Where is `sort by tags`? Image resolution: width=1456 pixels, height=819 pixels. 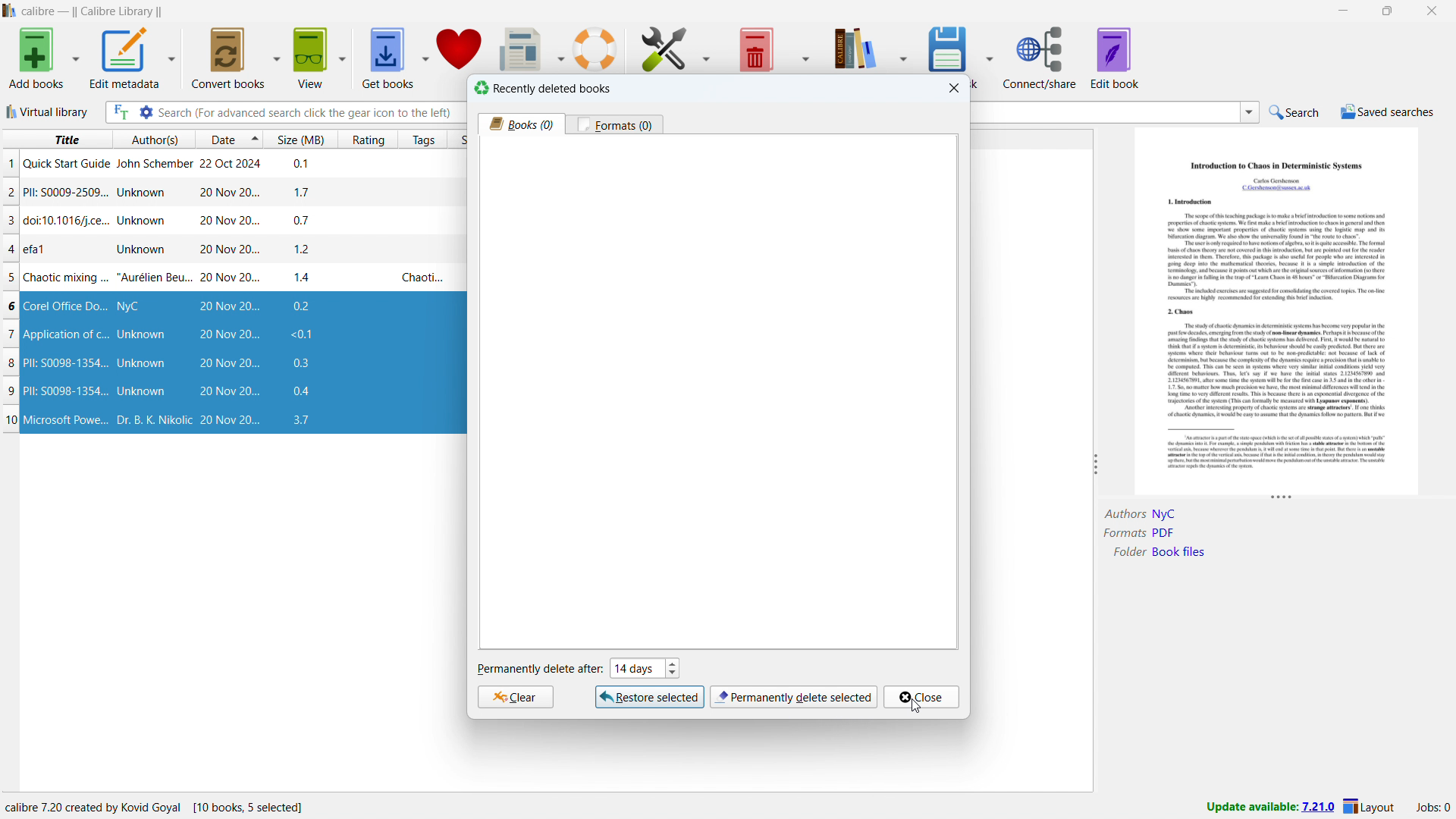 sort by tags is located at coordinates (418, 139).